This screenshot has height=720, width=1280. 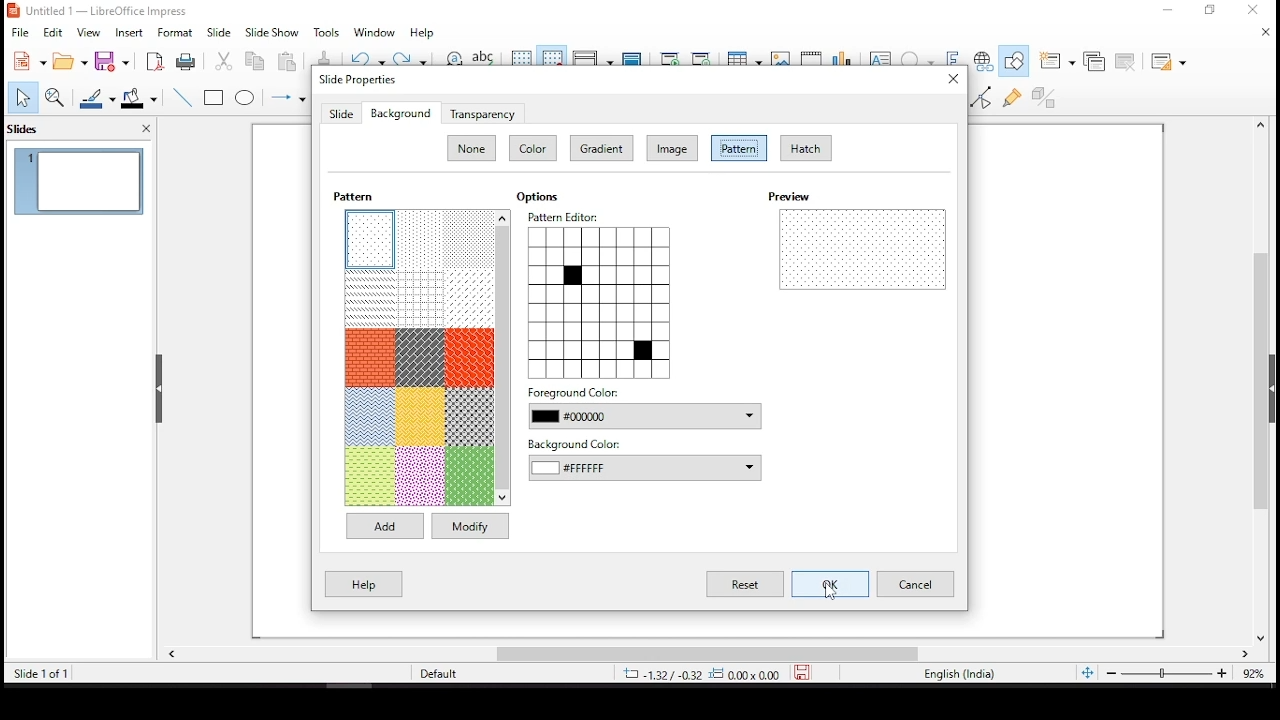 I want to click on copy, so click(x=254, y=61).